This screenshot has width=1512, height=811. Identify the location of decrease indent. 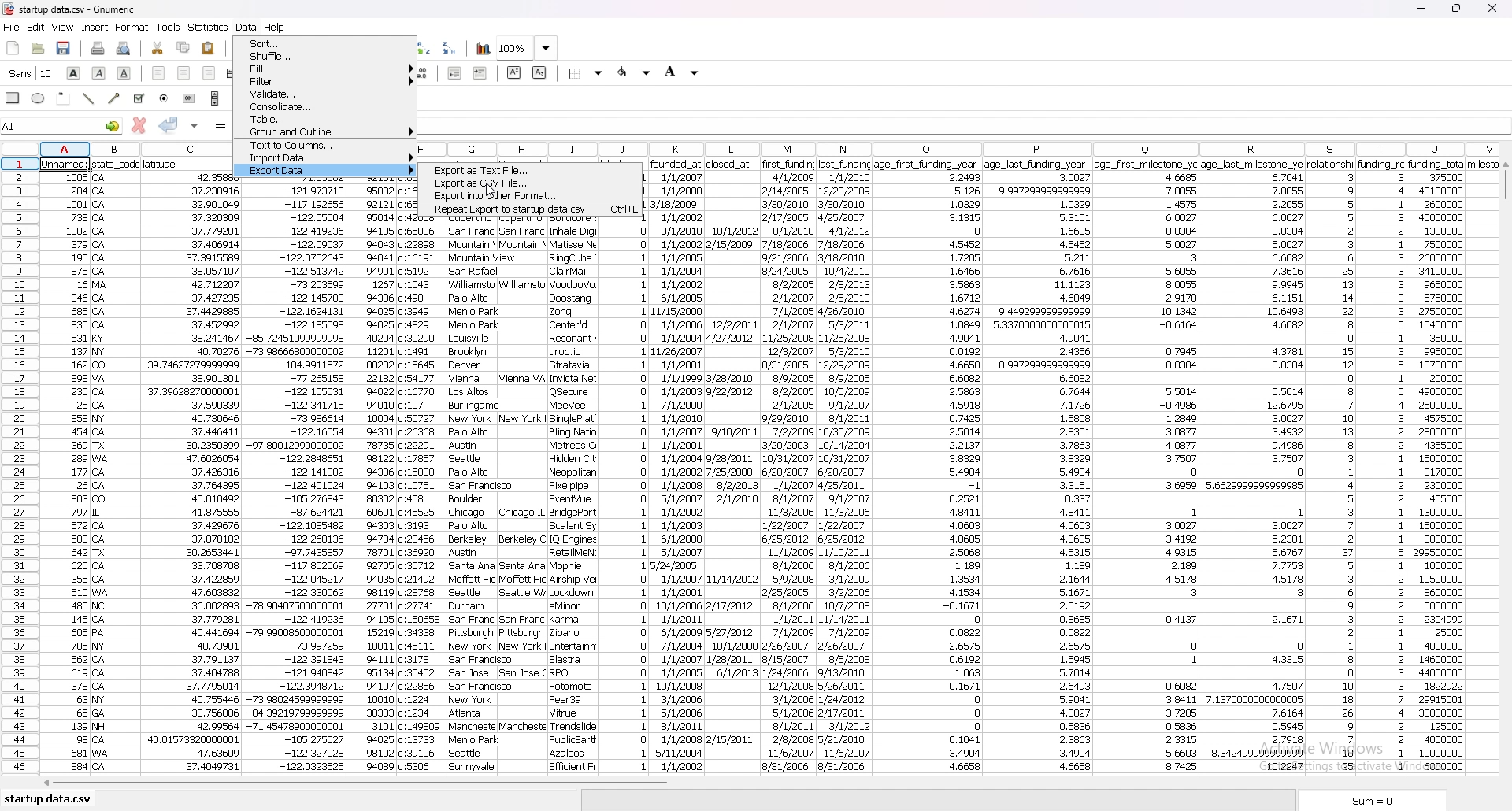
(457, 72).